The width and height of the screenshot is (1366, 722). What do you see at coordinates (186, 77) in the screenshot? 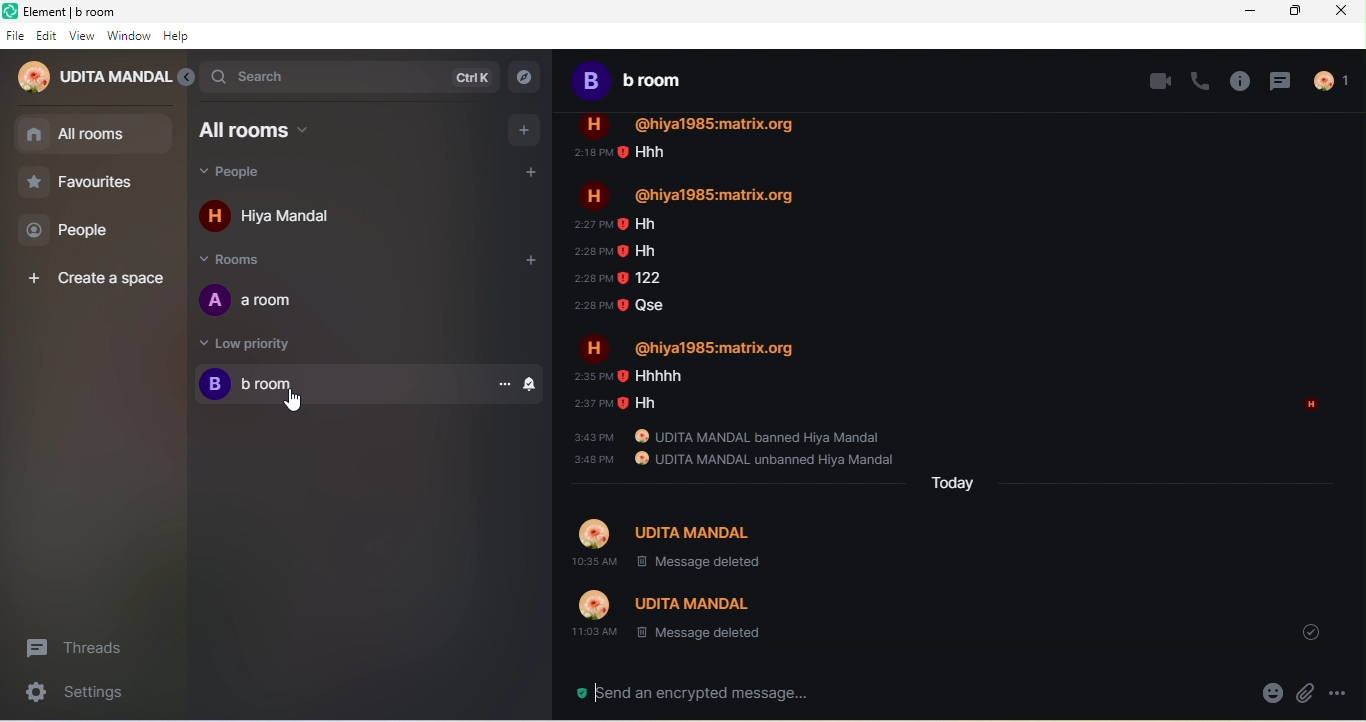
I see `expand` at bounding box center [186, 77].